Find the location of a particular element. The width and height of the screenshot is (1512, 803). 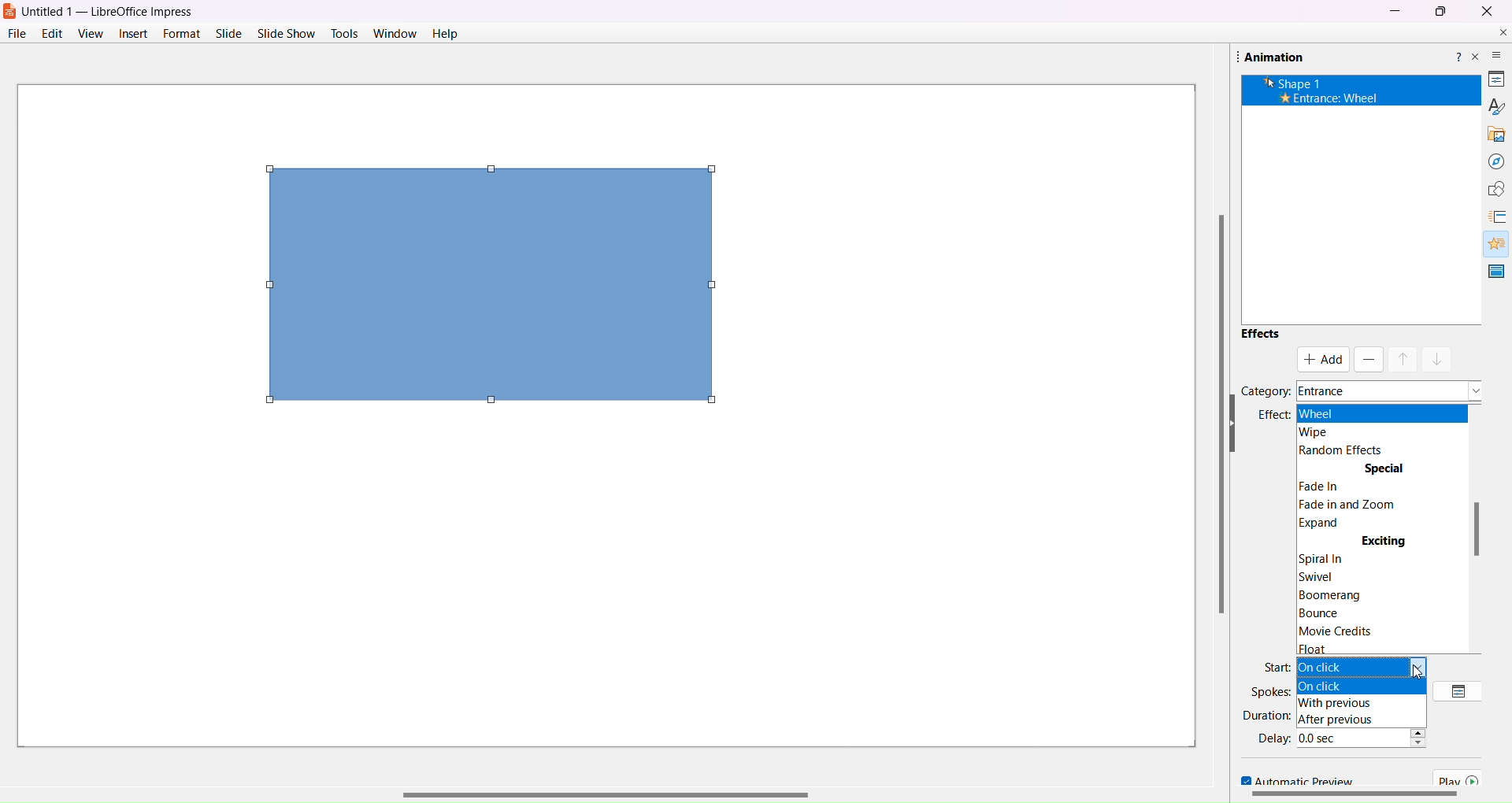

Spokes is located at coordinates (1271, 691).